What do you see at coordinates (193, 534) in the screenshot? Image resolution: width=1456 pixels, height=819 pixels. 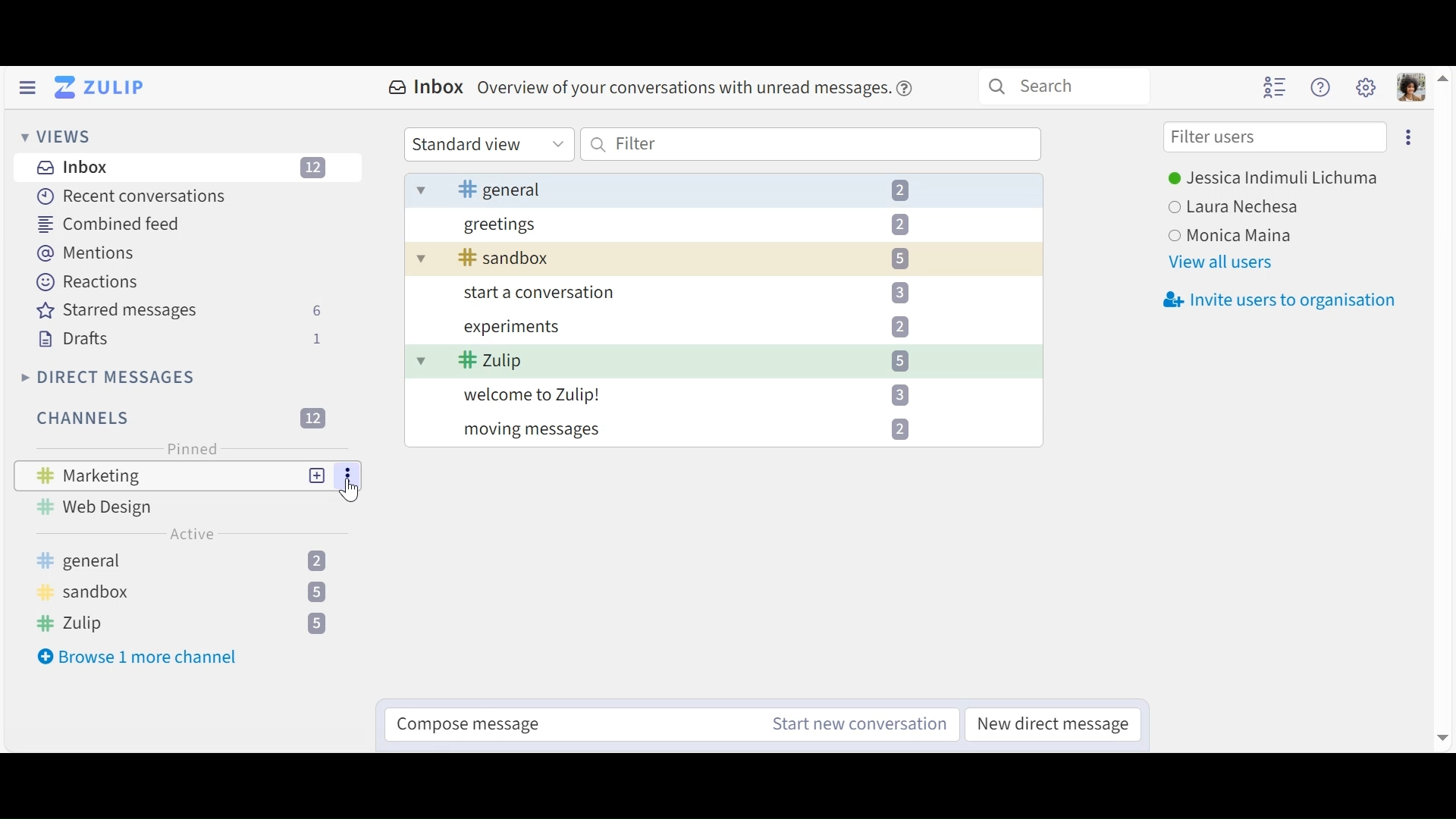 I see `Active` at bounding box center [193, 534].